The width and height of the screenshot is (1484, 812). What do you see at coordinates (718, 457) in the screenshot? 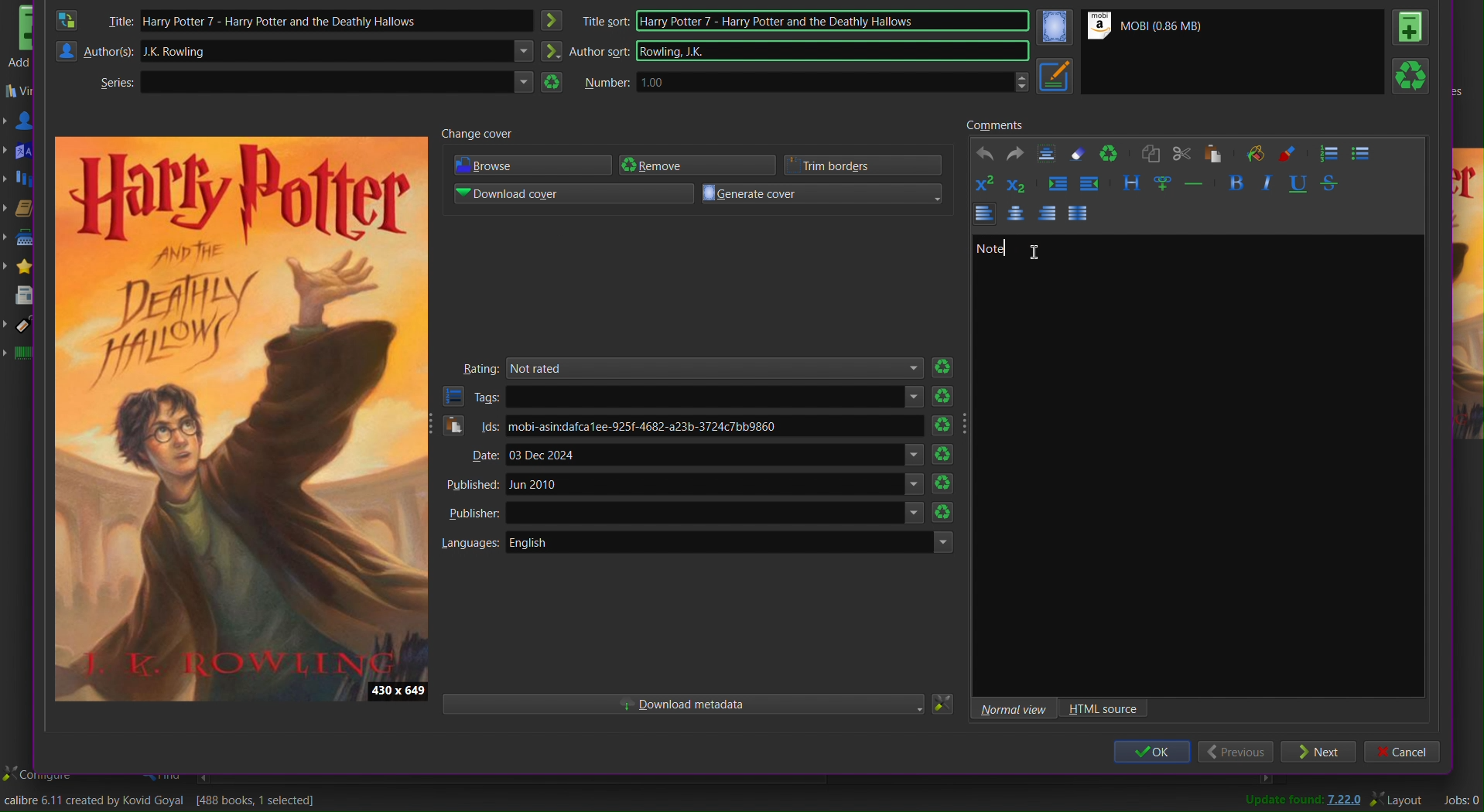
I see `03 Dec 2024` at bounding box center [718, 457].